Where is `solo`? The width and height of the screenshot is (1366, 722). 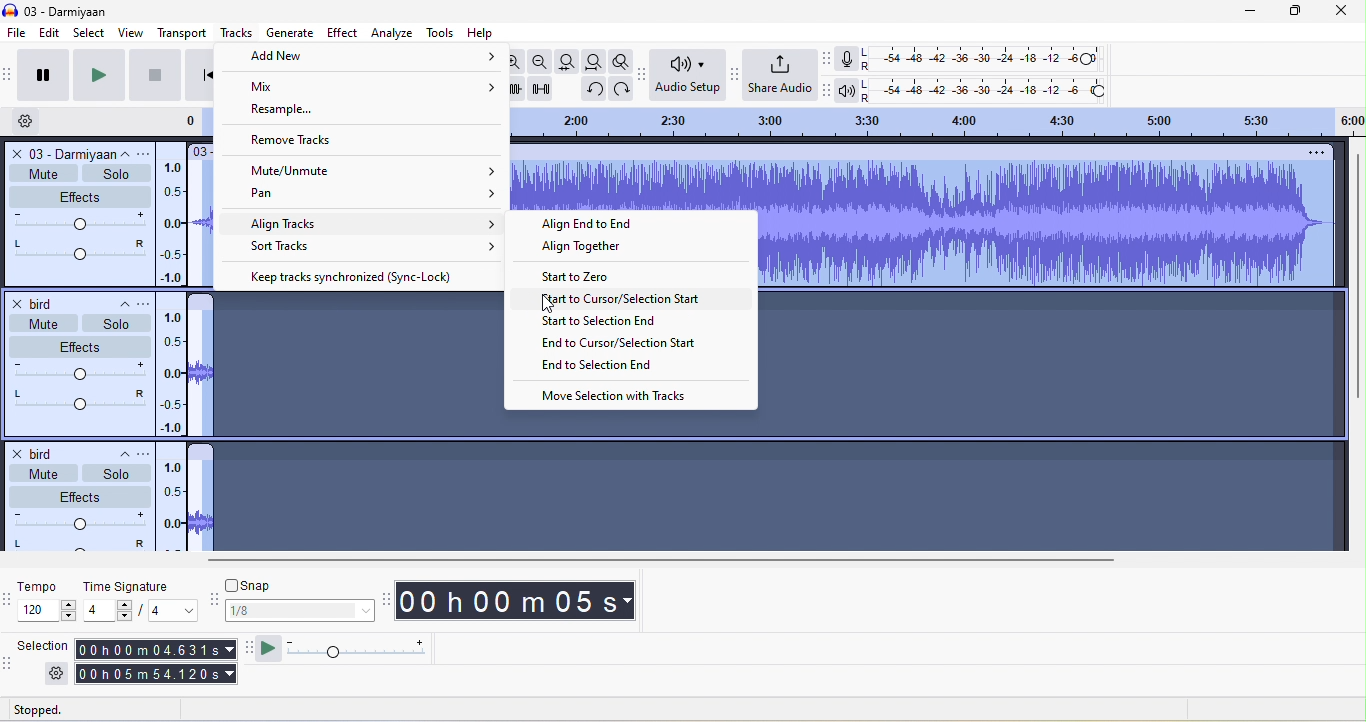 solo is located at coordinates (116, 175).